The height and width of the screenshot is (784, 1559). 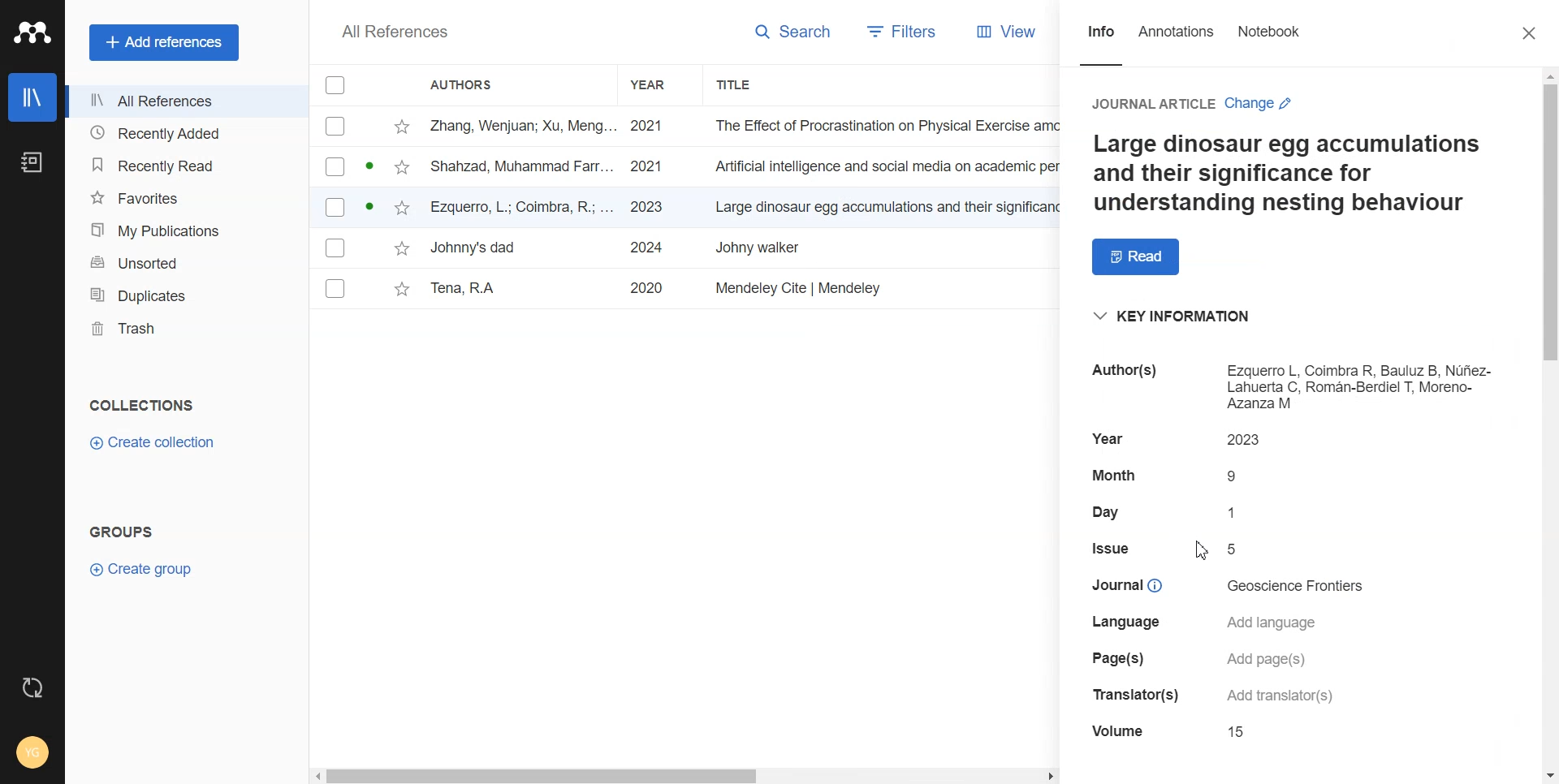 I want to click on File, so click(x=750, y=207).